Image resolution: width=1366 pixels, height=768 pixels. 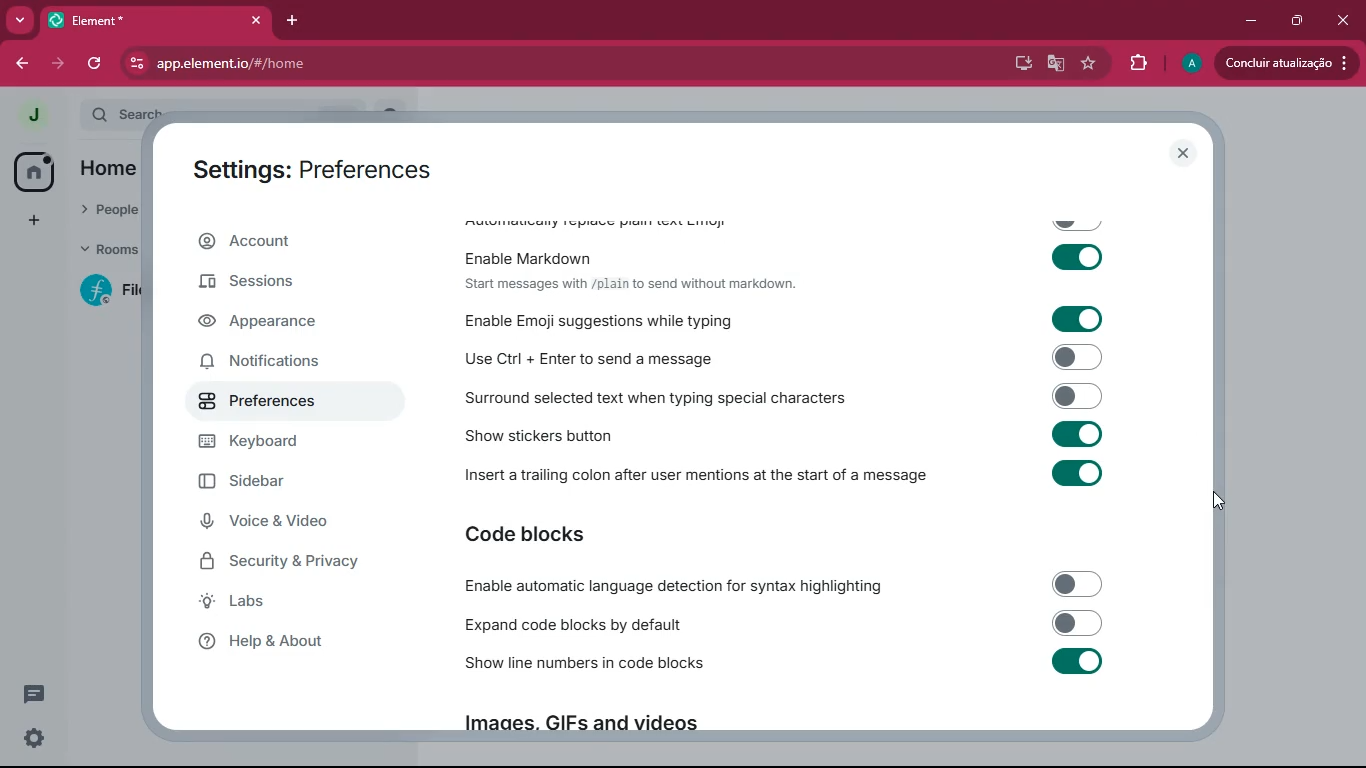 I want to click on rooms, so click(x=109, y=247).